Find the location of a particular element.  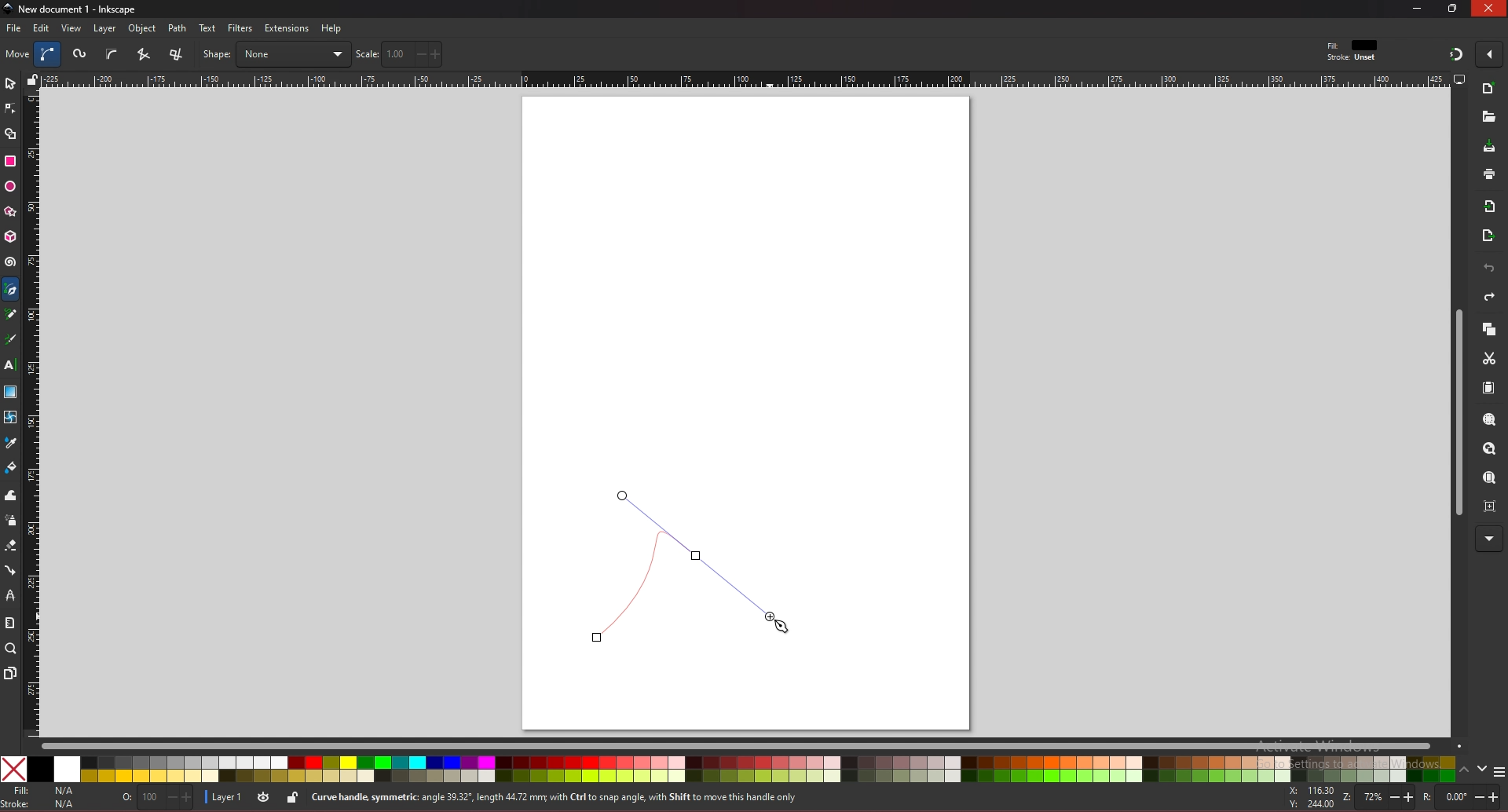

up is located at coordinates (1465, 772).